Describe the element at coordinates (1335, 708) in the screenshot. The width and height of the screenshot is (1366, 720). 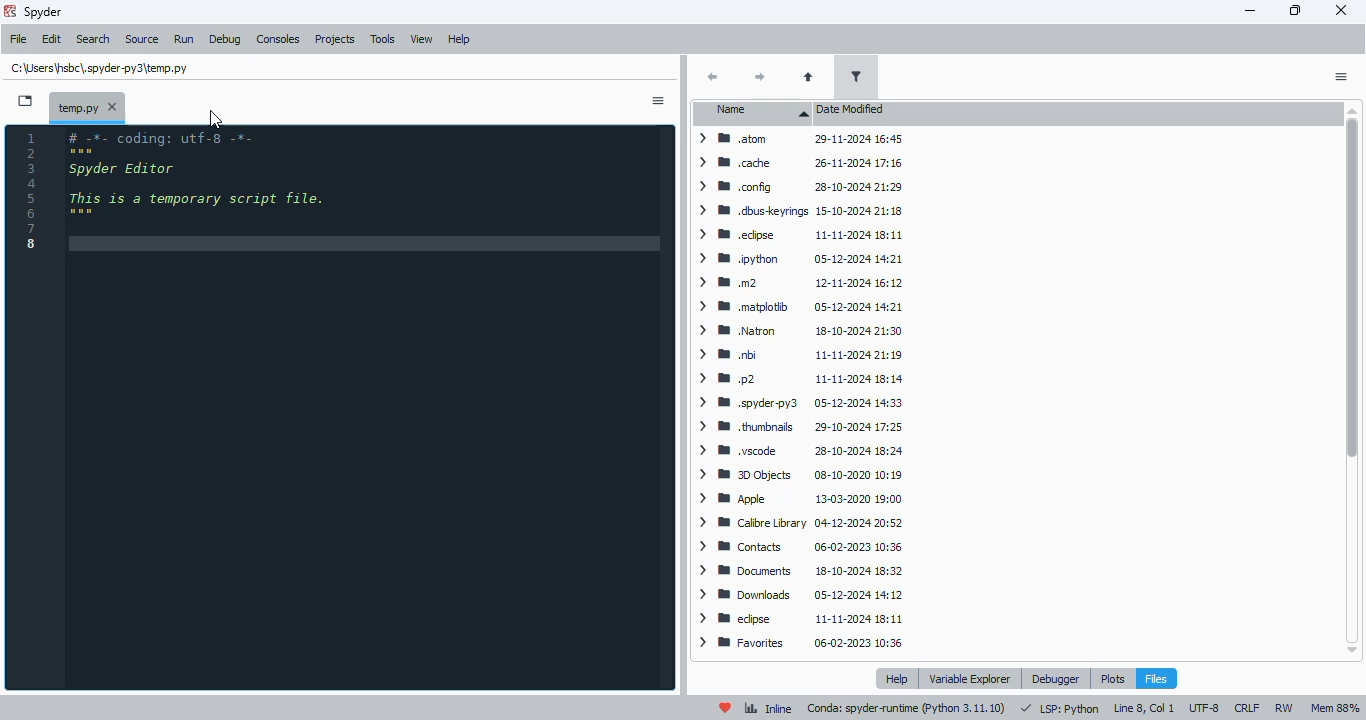
I see `mem 88%` at that location.